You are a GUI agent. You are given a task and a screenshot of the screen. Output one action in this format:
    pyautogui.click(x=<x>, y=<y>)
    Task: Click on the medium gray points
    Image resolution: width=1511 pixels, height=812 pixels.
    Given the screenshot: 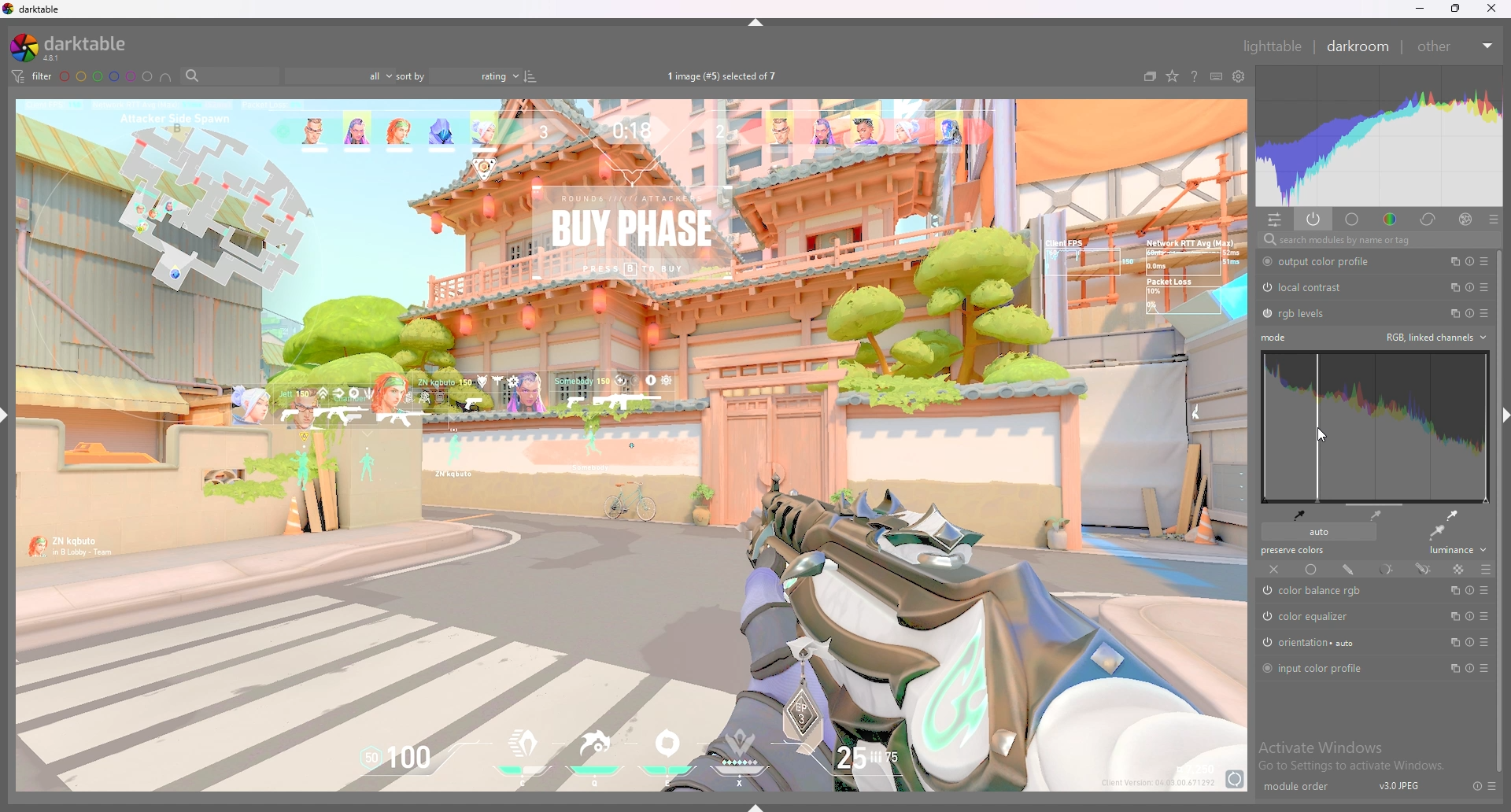 What is the action you would take?
    pyautogui.click(x=1377, y=515)
    